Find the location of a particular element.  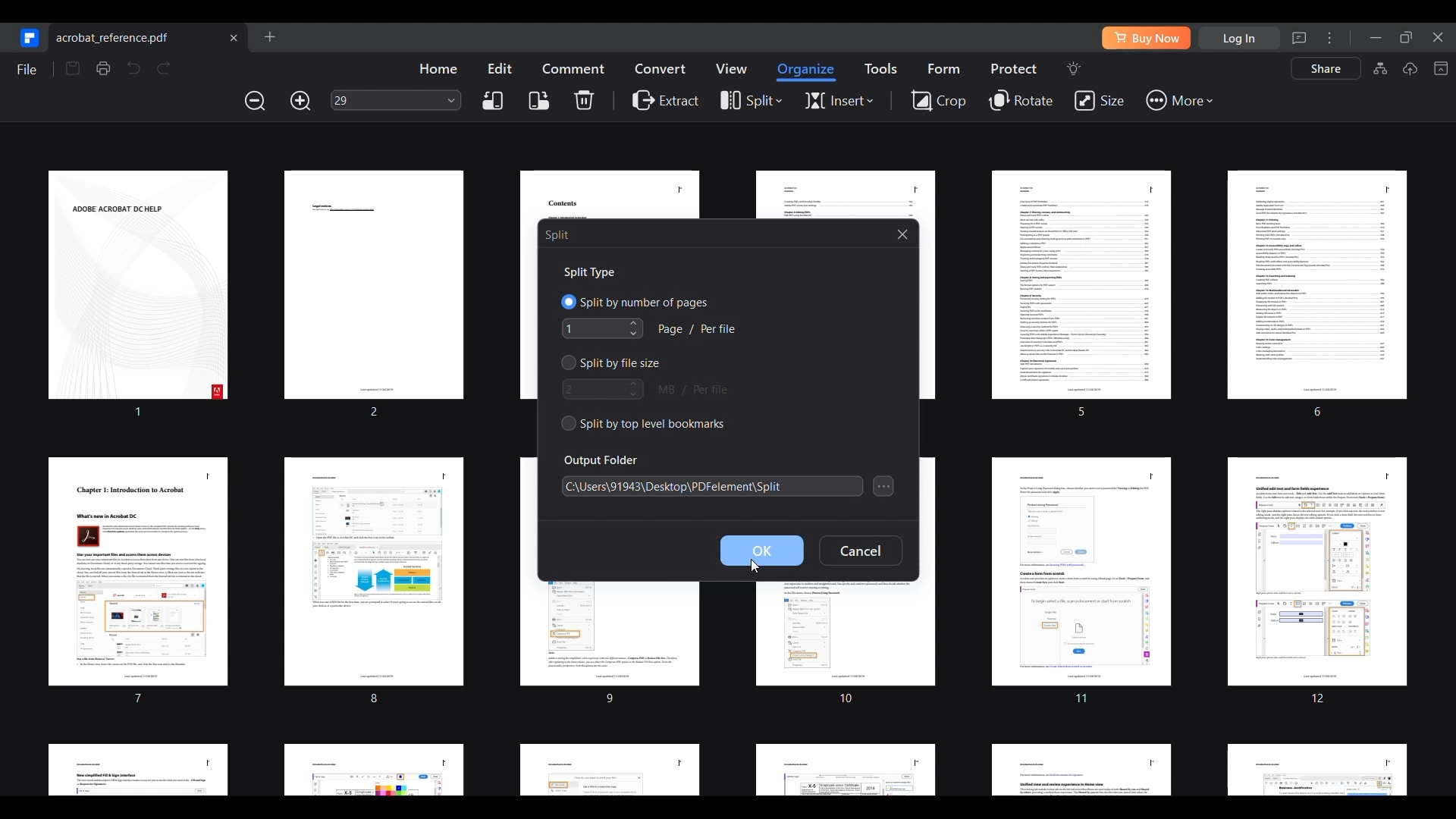

Tools is located at coordinates (880, 68).